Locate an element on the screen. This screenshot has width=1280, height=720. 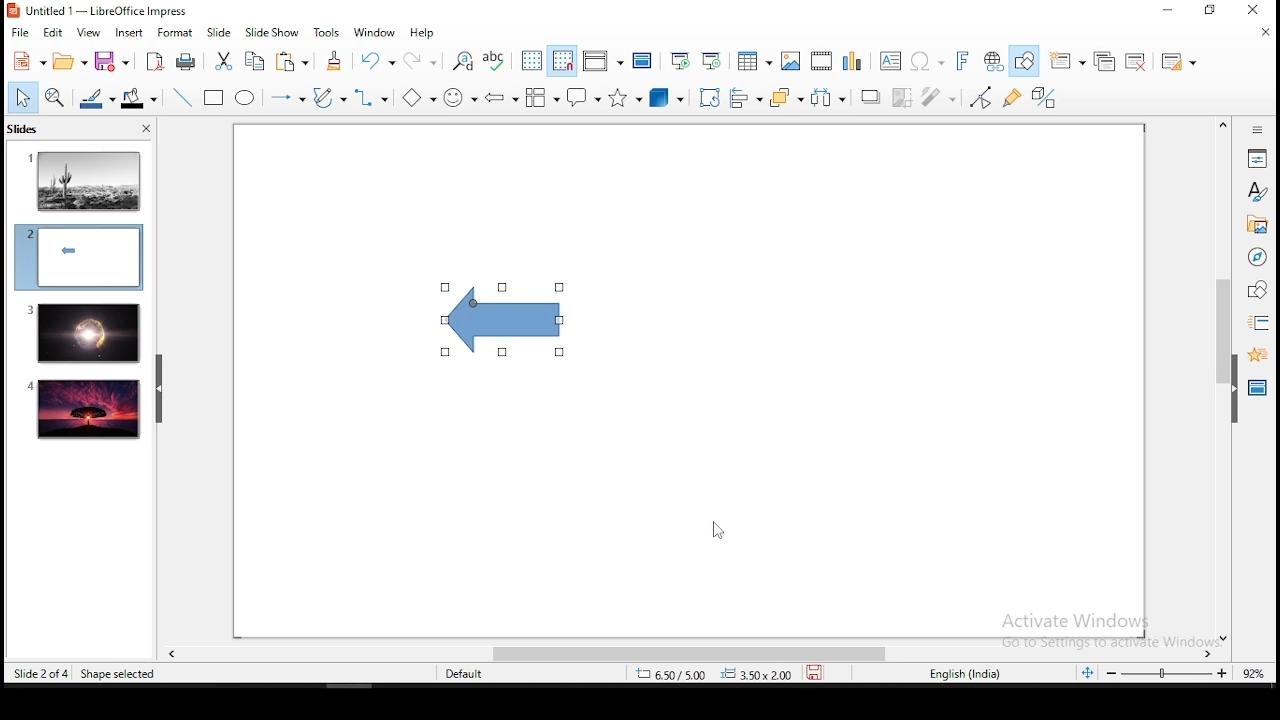
line is located at coordinates (180, 98).